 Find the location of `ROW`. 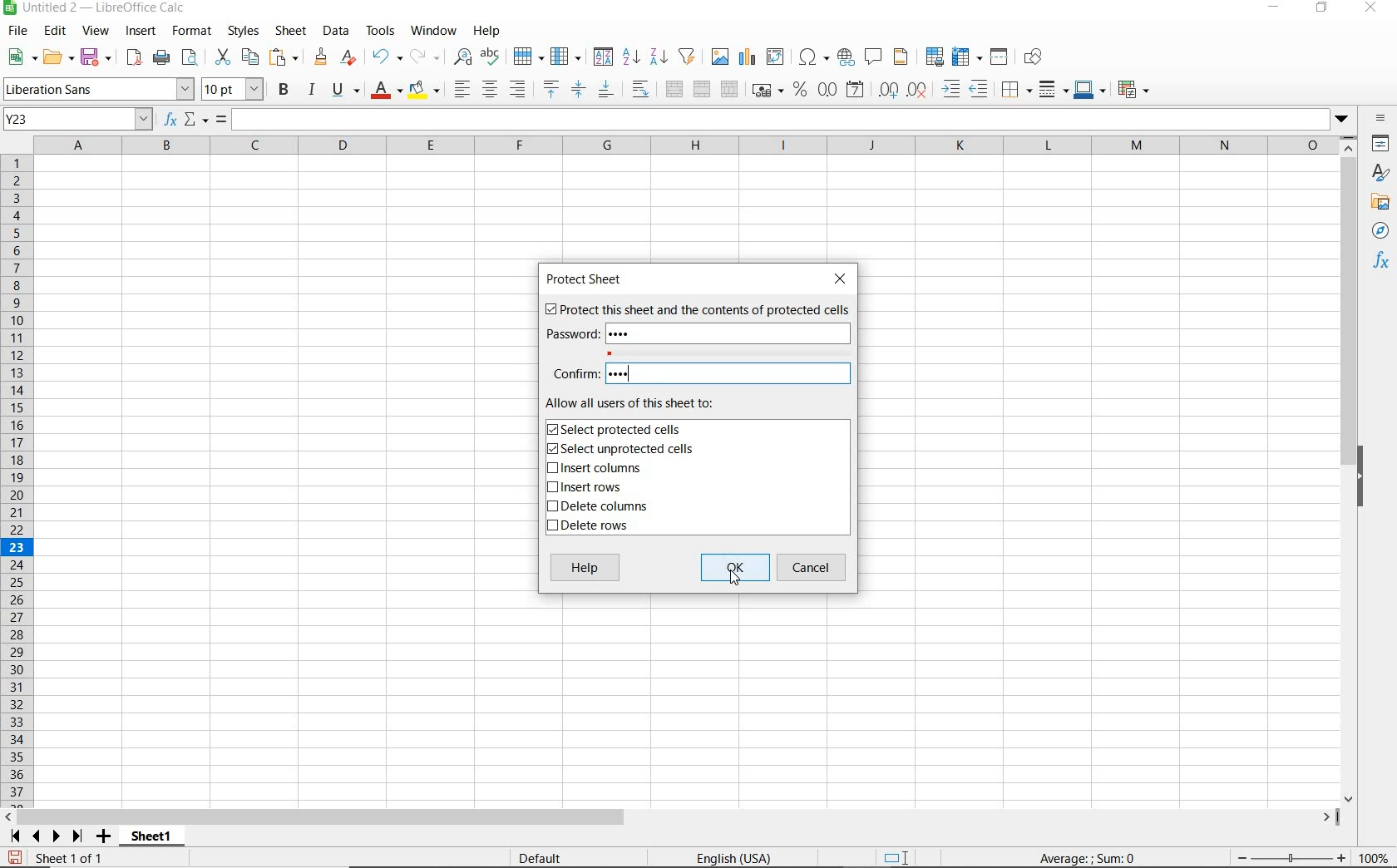

ROW is located at coordinates (528, 55).